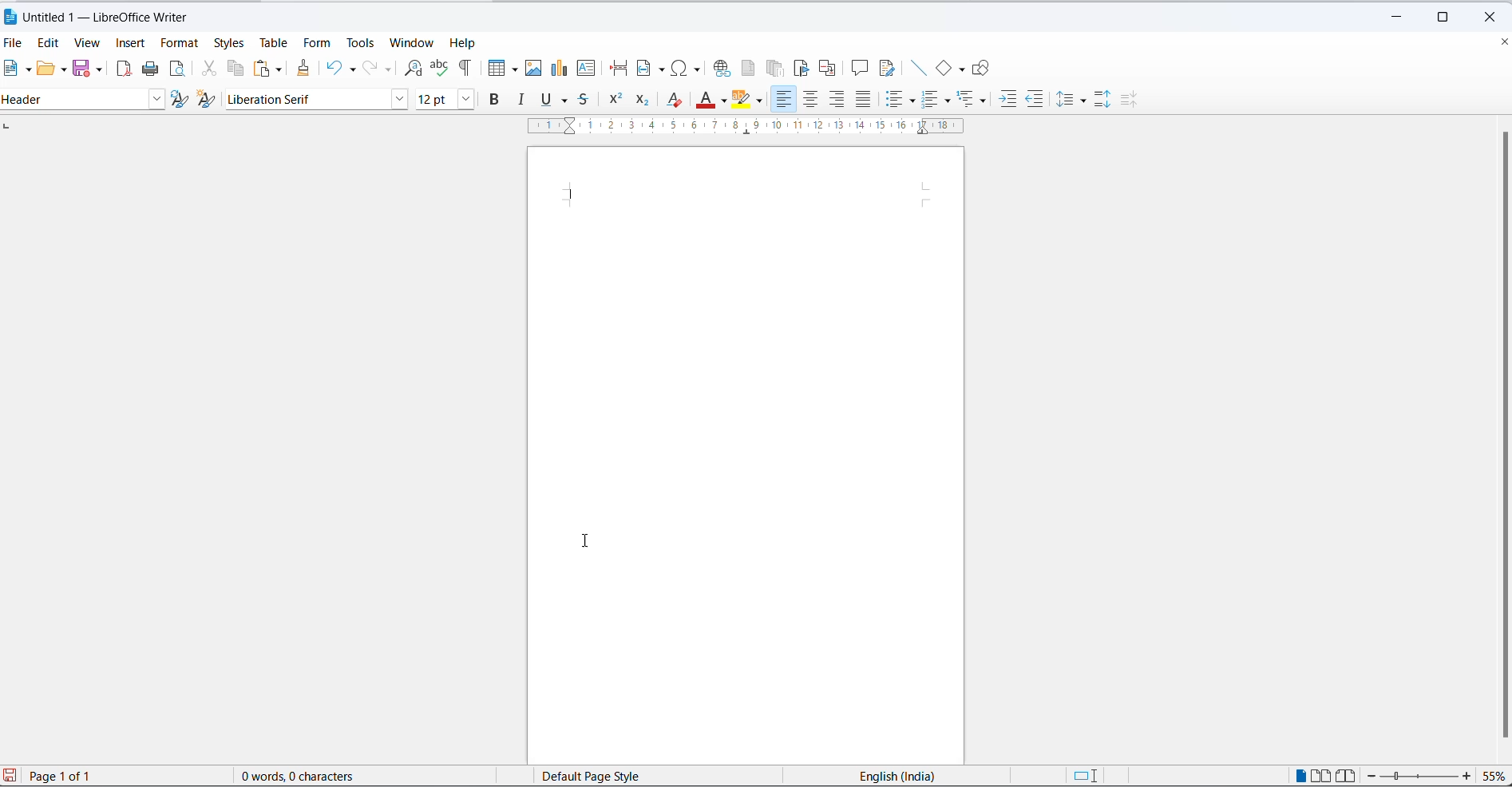 Image resolution: width=1512 pixels, height=787 pixels. Describe the element at coordinates (1134, 102) in the screenshot. I see `decrease paragraphing space` at that location.